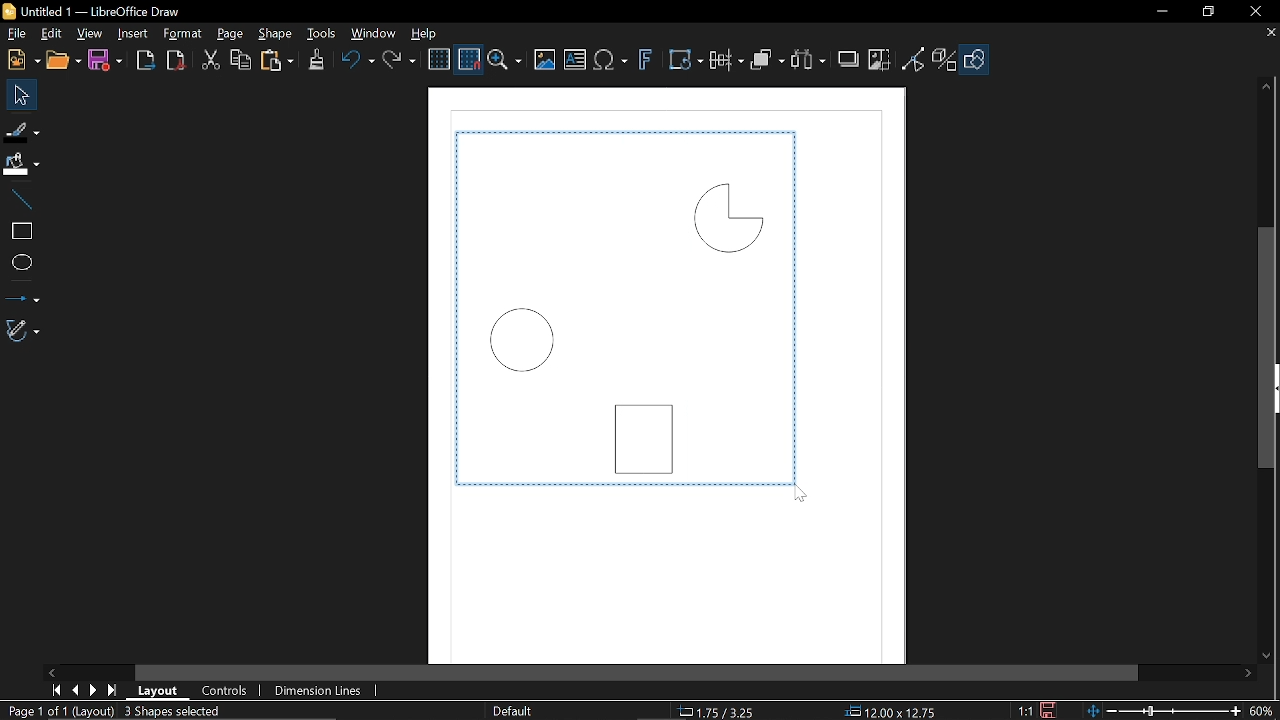 The width and height of the screenshot is (1280, 720). I want to click on Help, so click(429, 33).